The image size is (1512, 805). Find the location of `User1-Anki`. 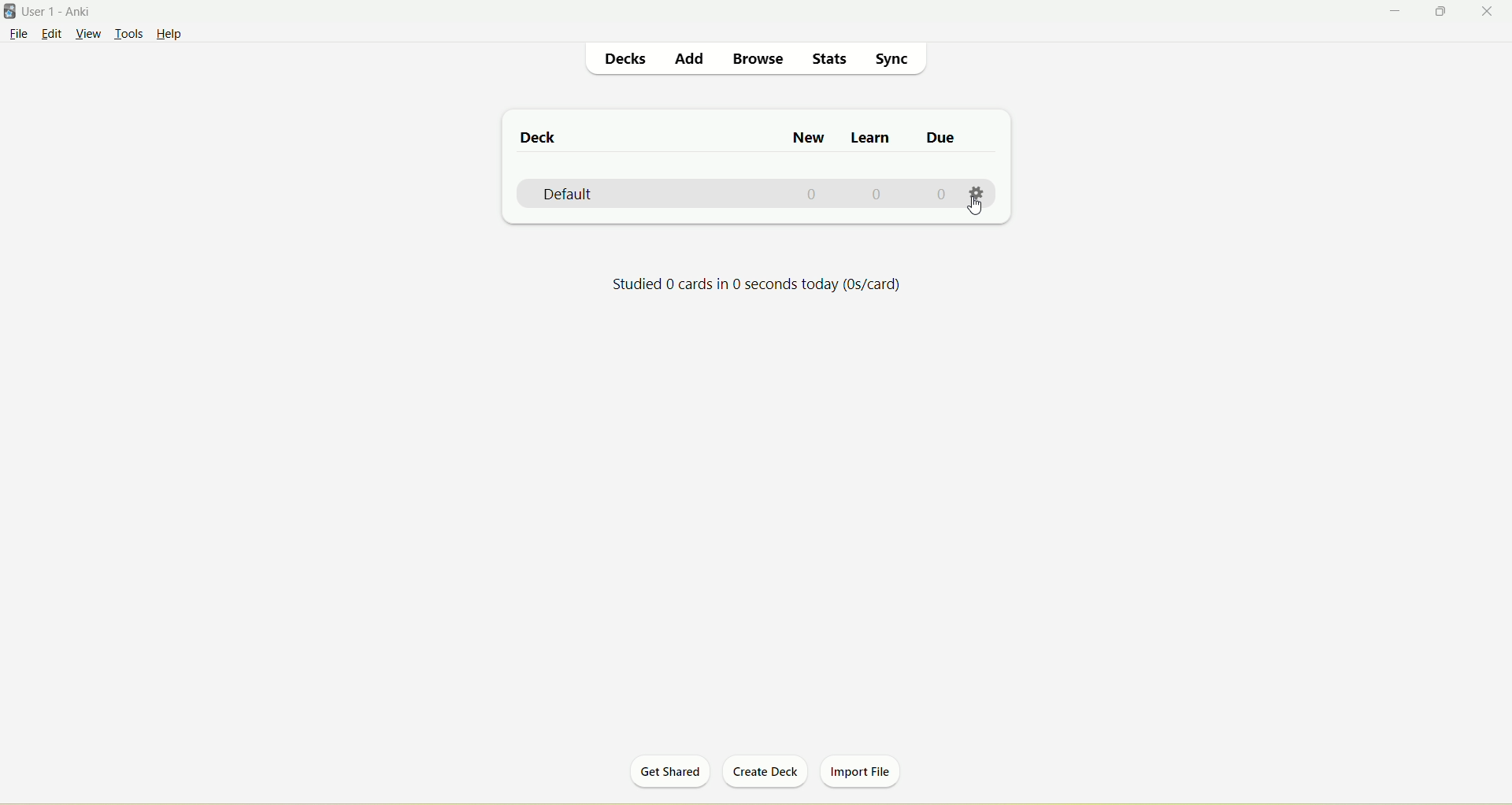

User1-Anki is located at coordinates (68, 11).